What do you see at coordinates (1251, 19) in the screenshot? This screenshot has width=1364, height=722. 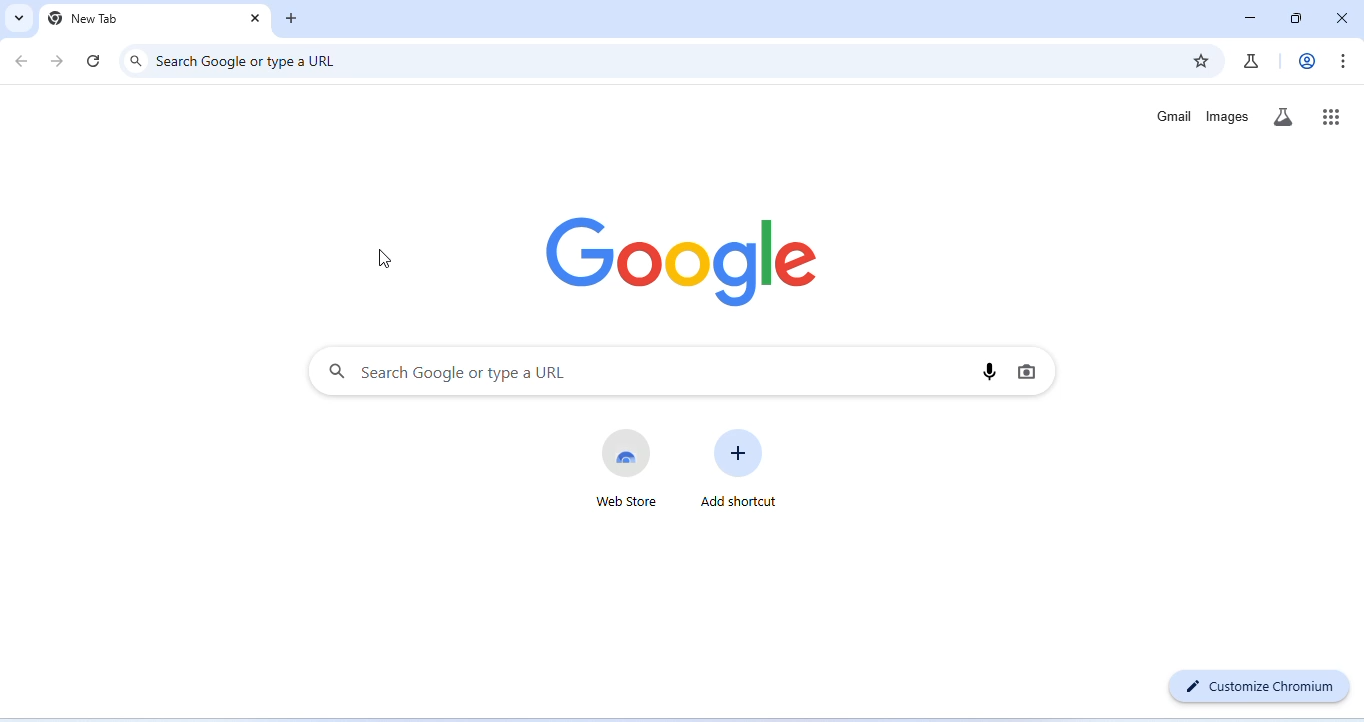 I see `minimize` at bounding box center [1251, 19].